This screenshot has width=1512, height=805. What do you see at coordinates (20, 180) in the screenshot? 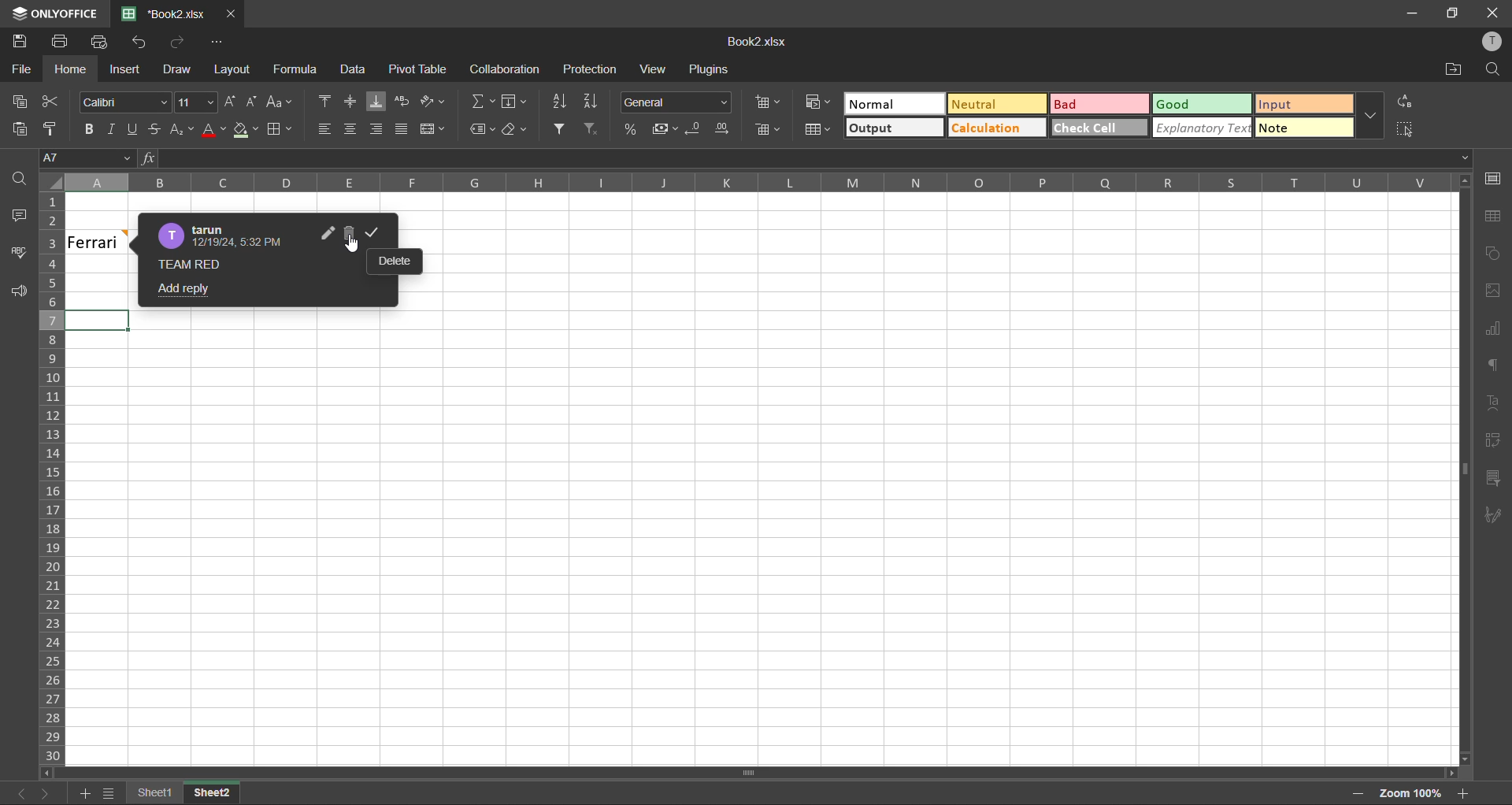
I see `find` at bounding box center [20, 180].